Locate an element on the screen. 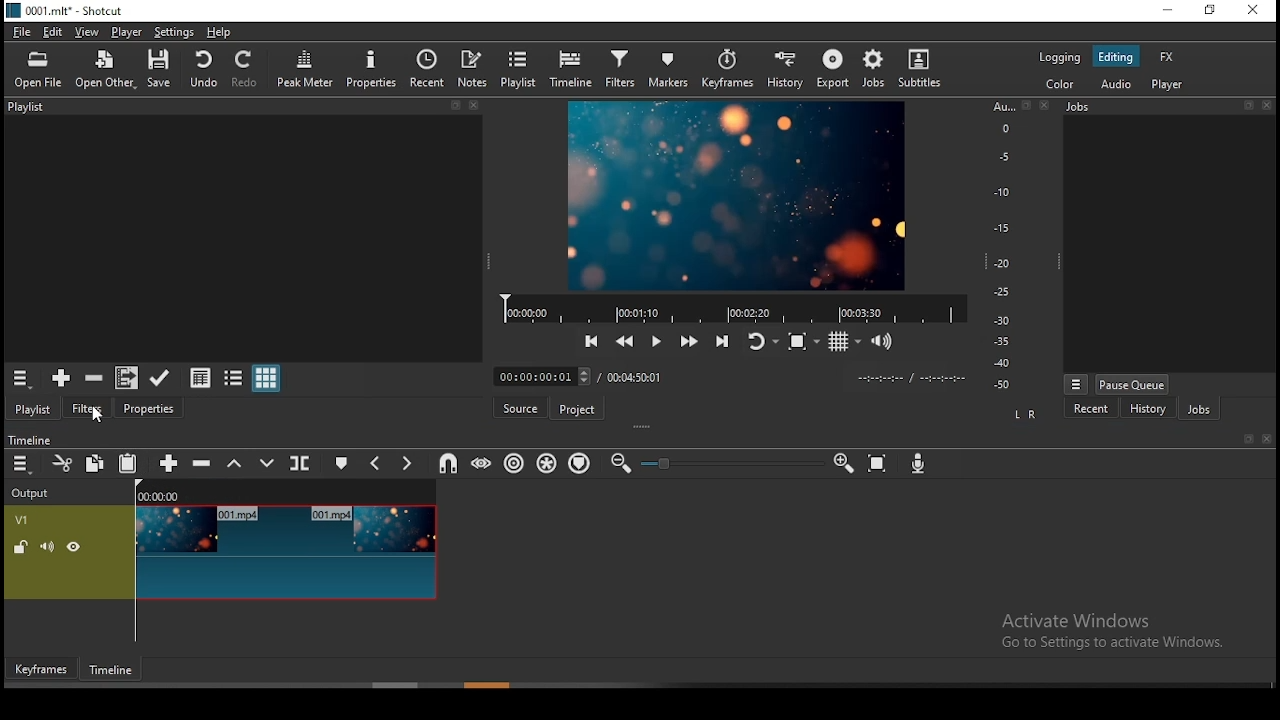 The image size is (1280, 720). history is located at coordinates (1150, 408).